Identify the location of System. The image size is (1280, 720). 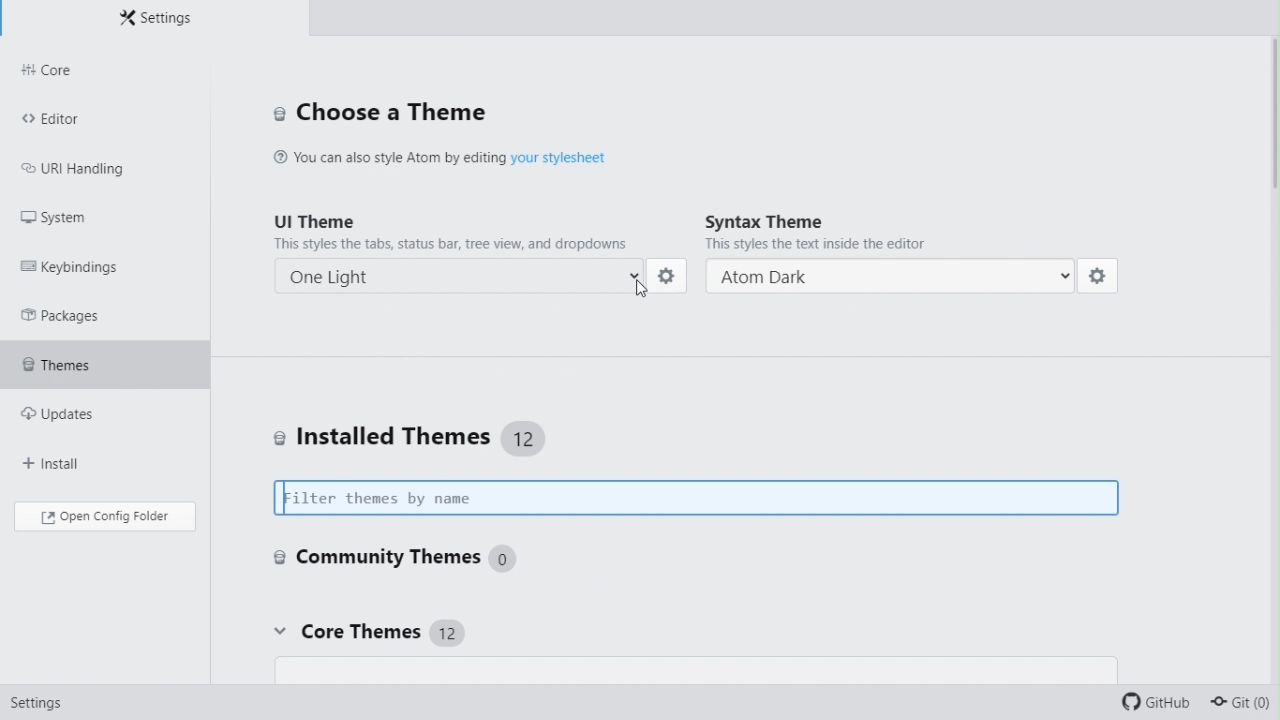
(66, 218).